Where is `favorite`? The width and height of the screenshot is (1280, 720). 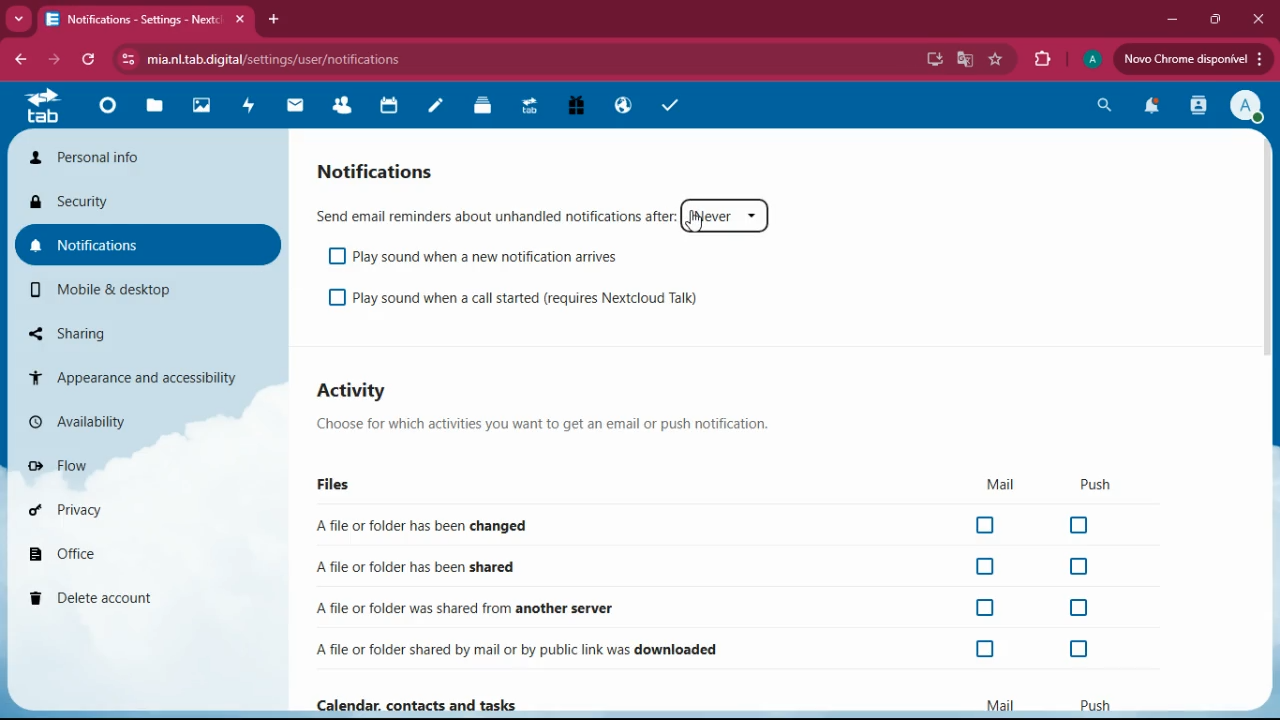 favorite is located at coordinates (996, 61).